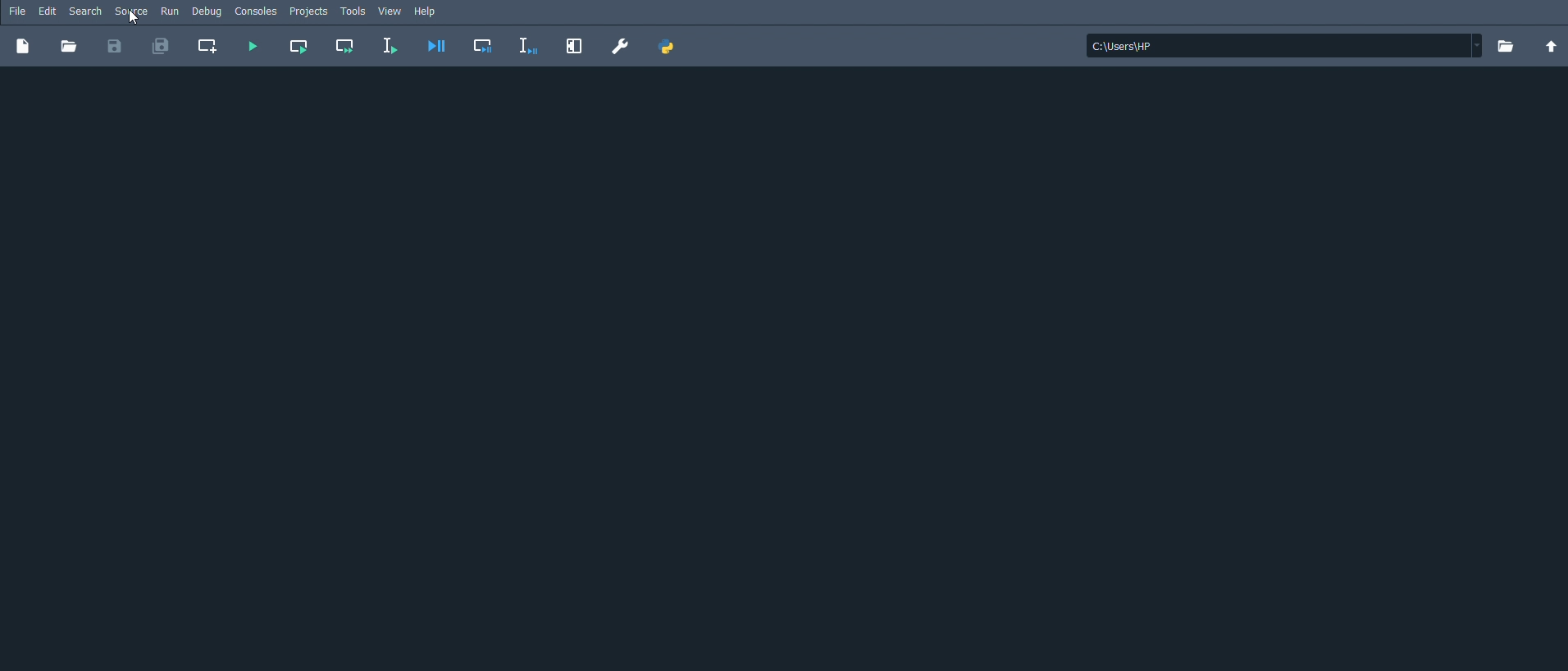  What do you see at coordinates (309, 12) in the screenshot?
I see `Projects` at bounding box center [309, 12].